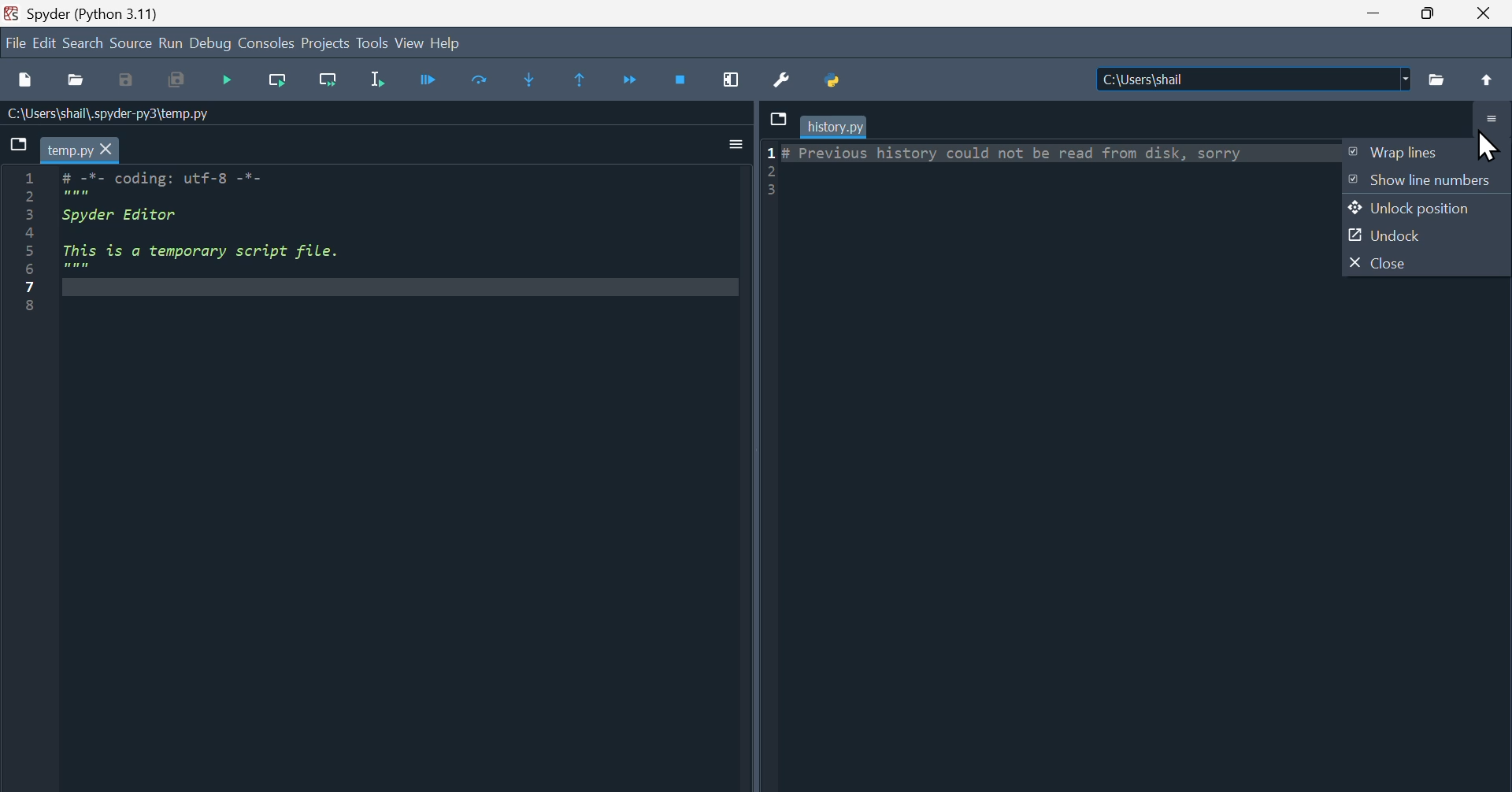  I want to click on Continue debugging, so click(437, 80).